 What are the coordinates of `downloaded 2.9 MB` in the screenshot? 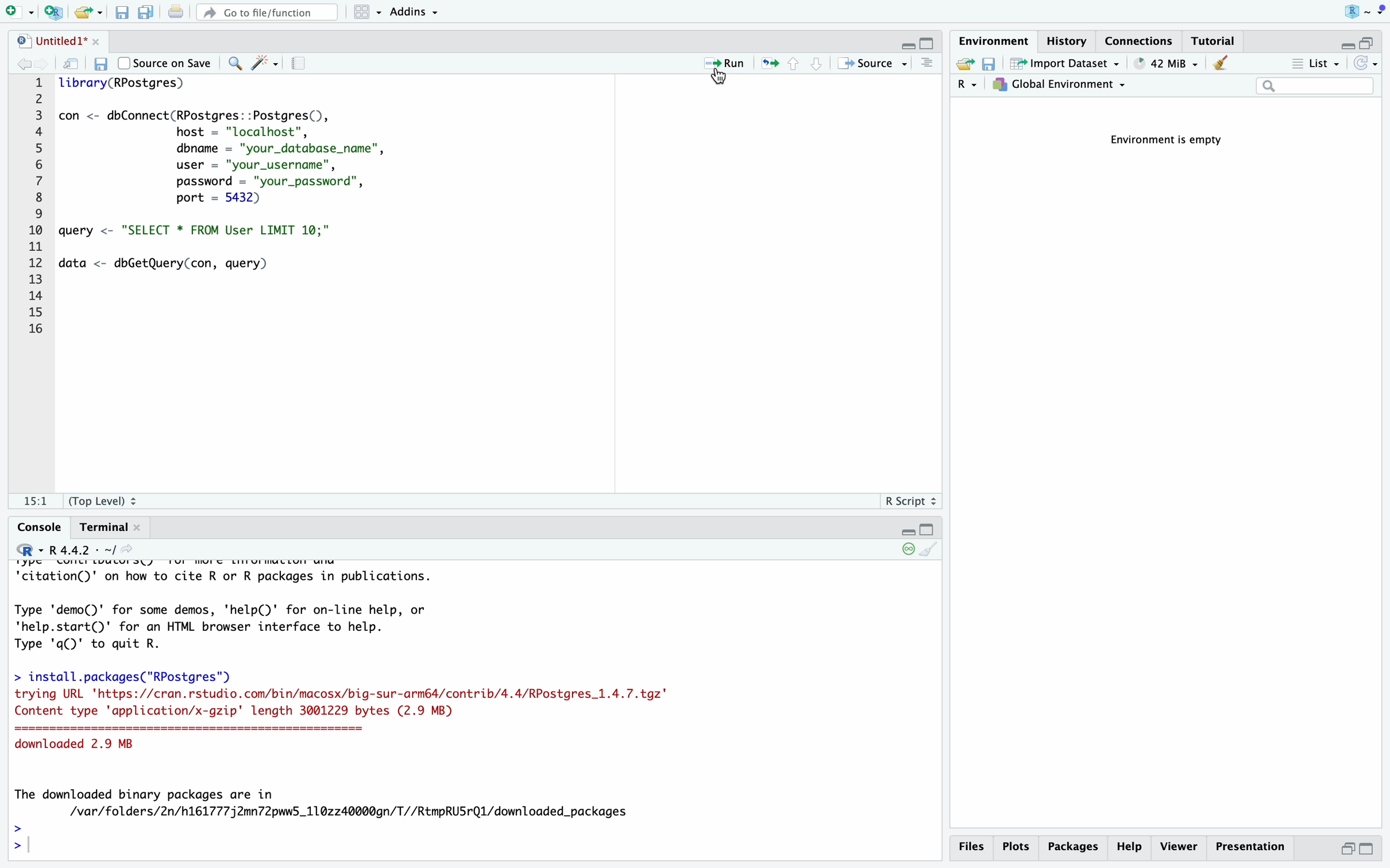 It's located at (83, 746).